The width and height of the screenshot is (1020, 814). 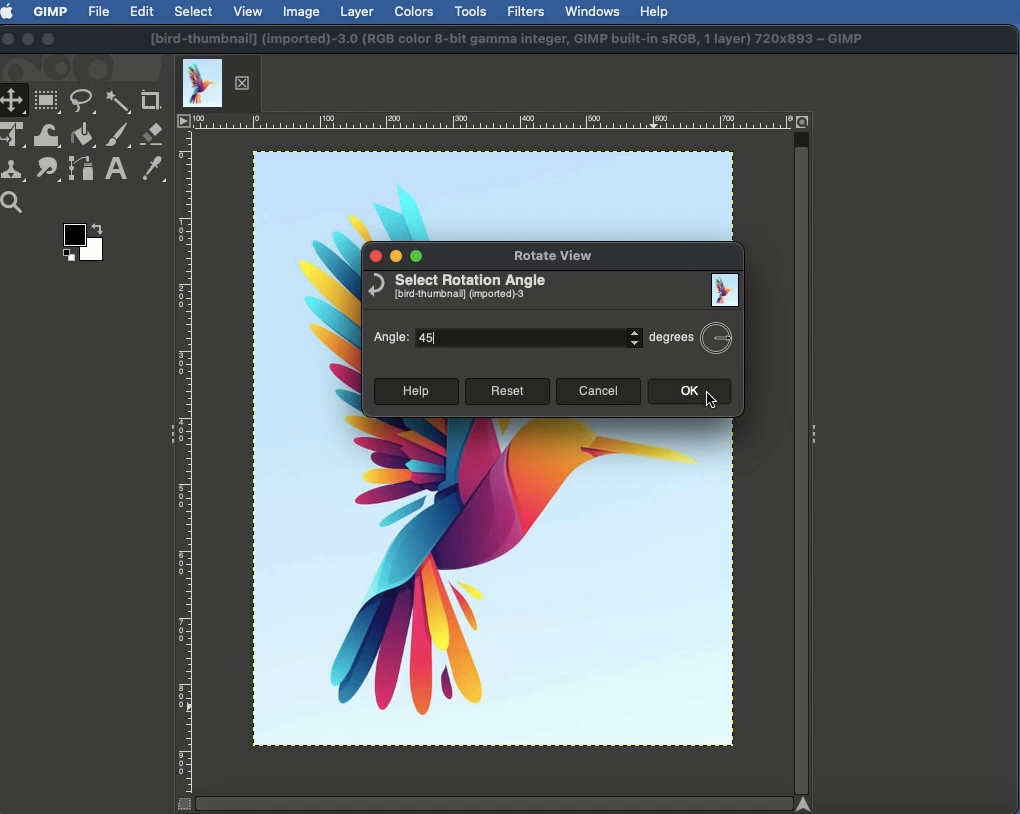 What do you see at coordinates (632, 336) in the screenshot?
I see `adjust angle` at bounding box center [632, 336].